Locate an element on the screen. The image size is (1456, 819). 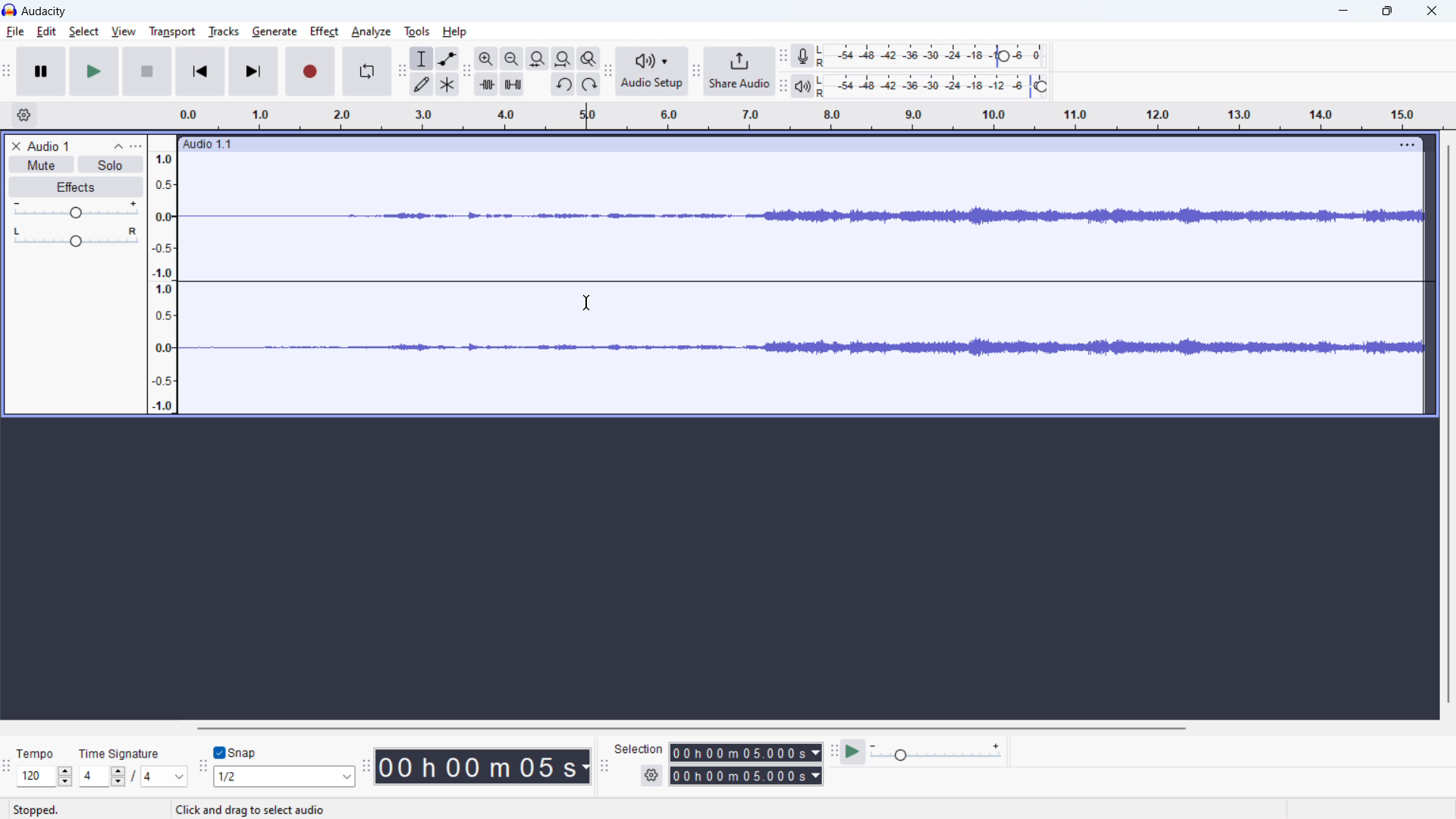
timeline is located at coordinates (807, 116).